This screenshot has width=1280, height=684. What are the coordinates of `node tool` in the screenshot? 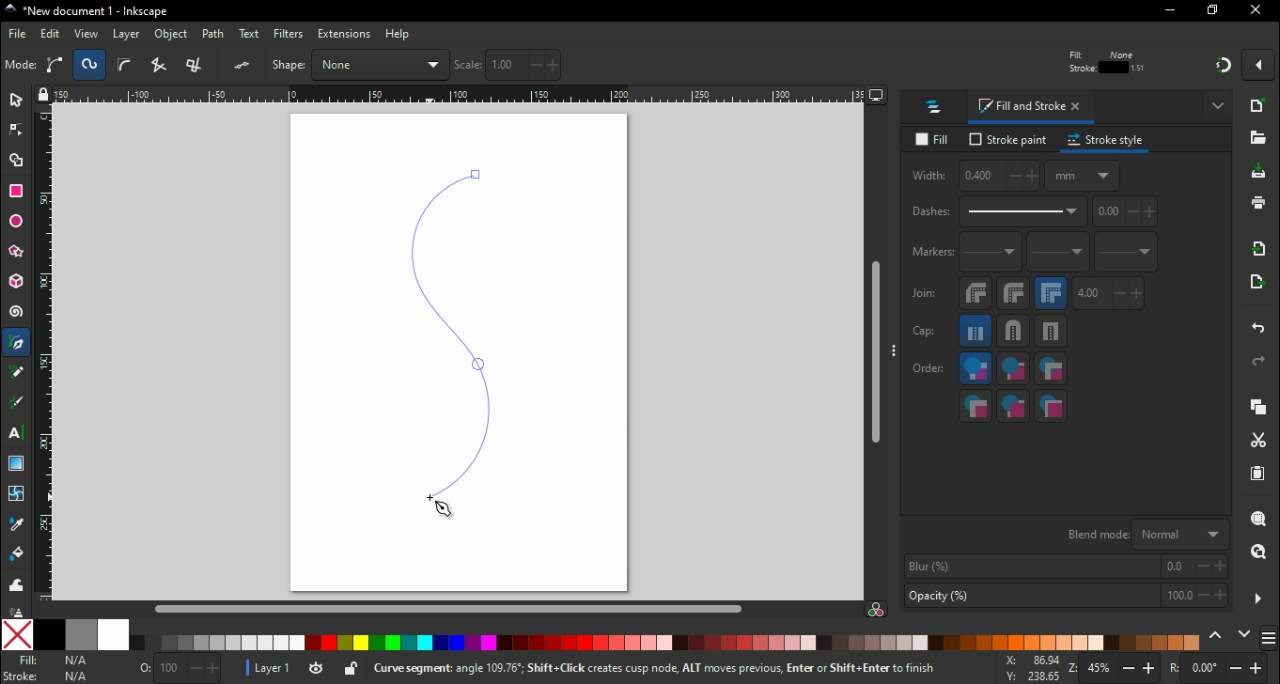 It's located at (16, 135).